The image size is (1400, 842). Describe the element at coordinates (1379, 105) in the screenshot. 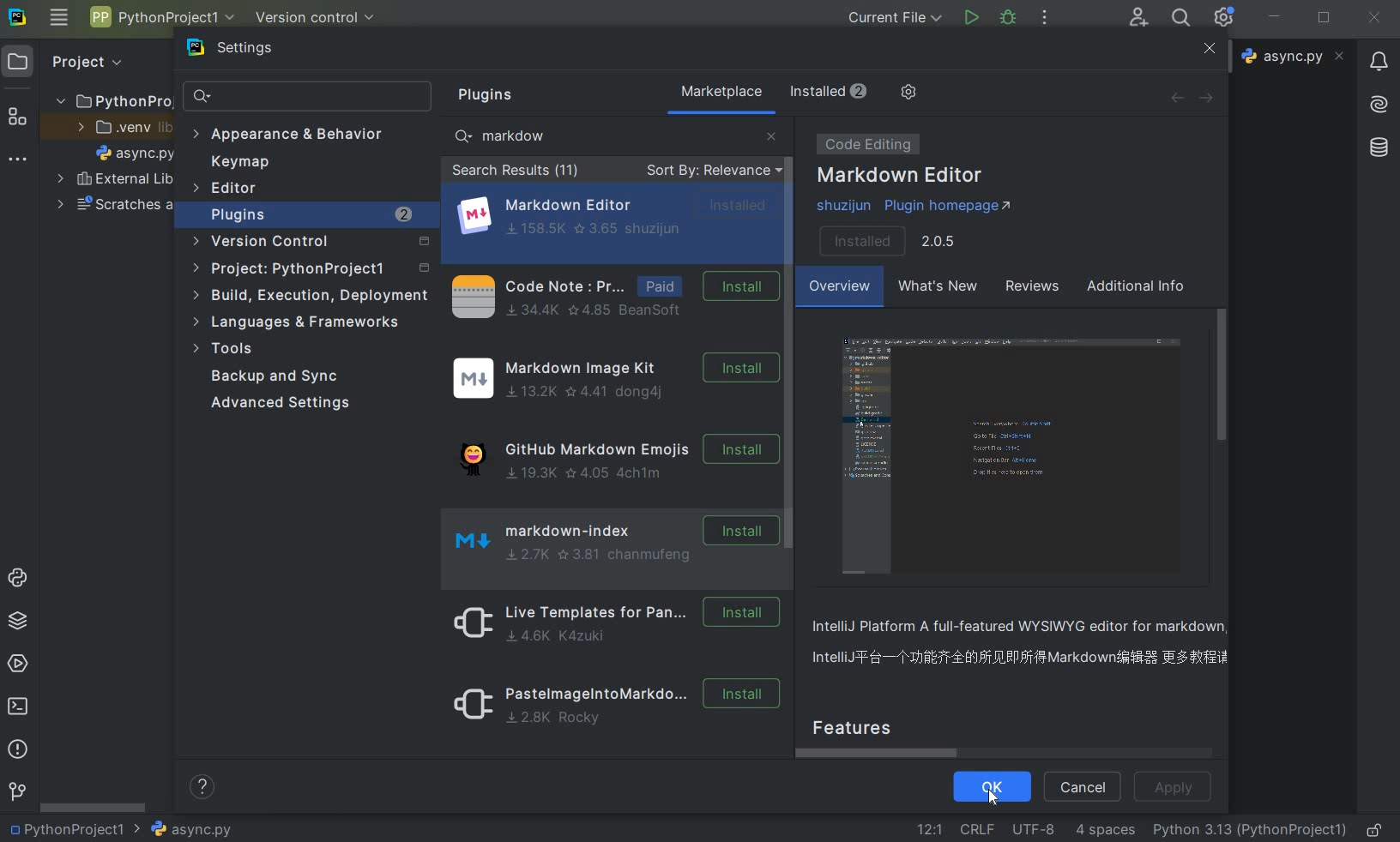

I see `AI Assistant` at that location.